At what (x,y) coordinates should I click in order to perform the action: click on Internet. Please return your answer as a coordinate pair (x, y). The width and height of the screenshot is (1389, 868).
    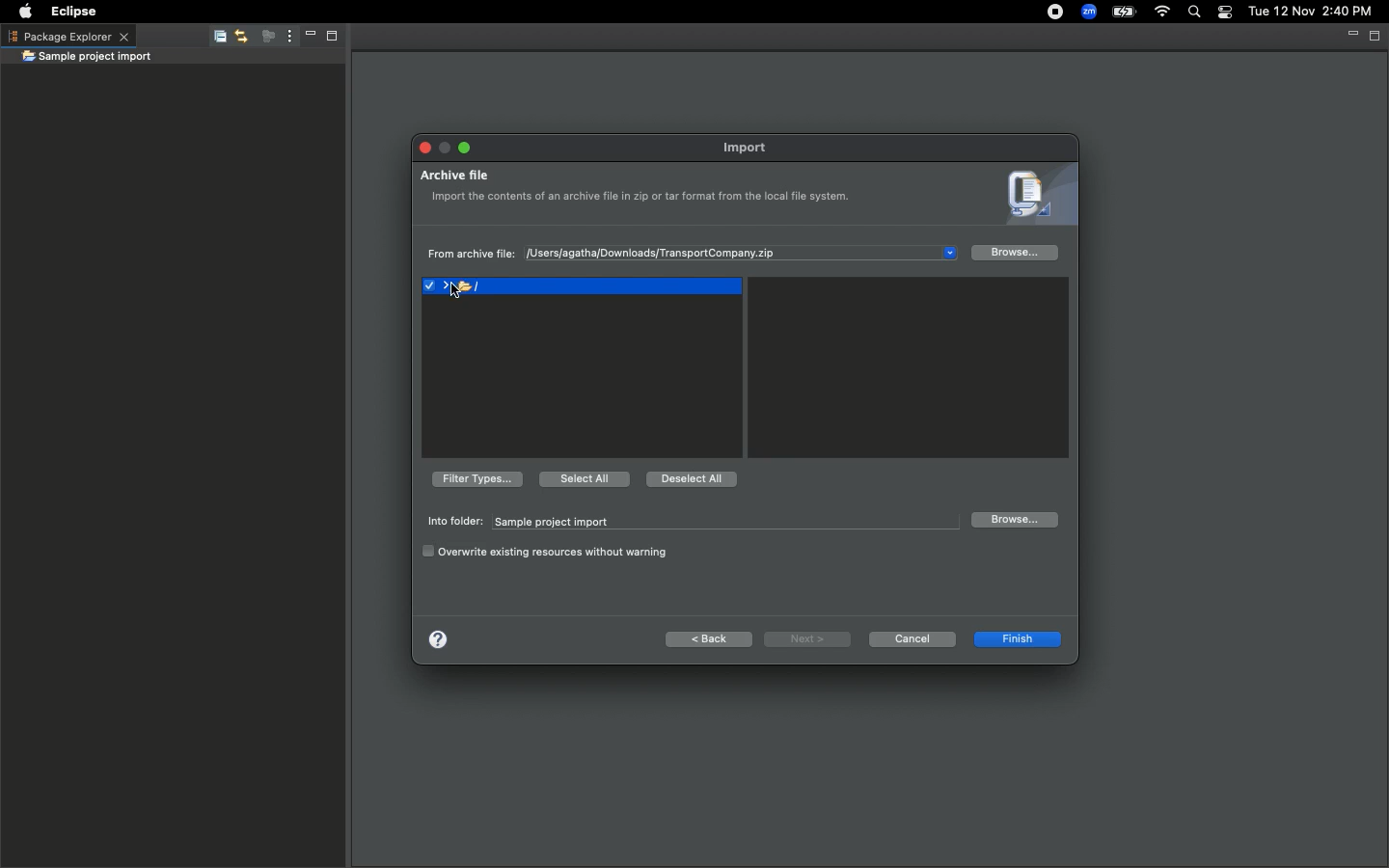
    Looking at the image, I should click on (1162, 13).